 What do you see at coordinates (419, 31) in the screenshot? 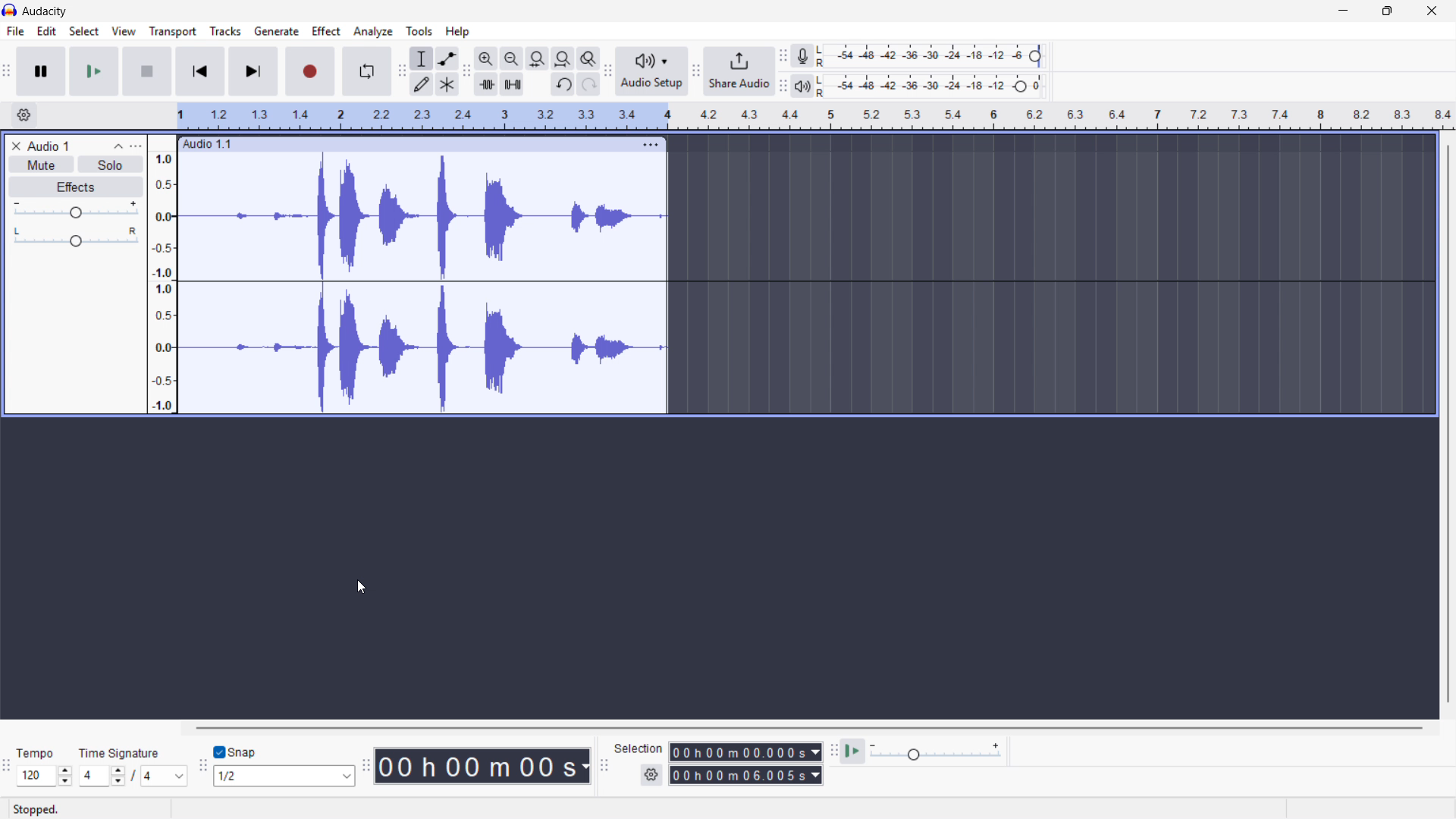
I see `Tools` at bounding box center [419, 31].